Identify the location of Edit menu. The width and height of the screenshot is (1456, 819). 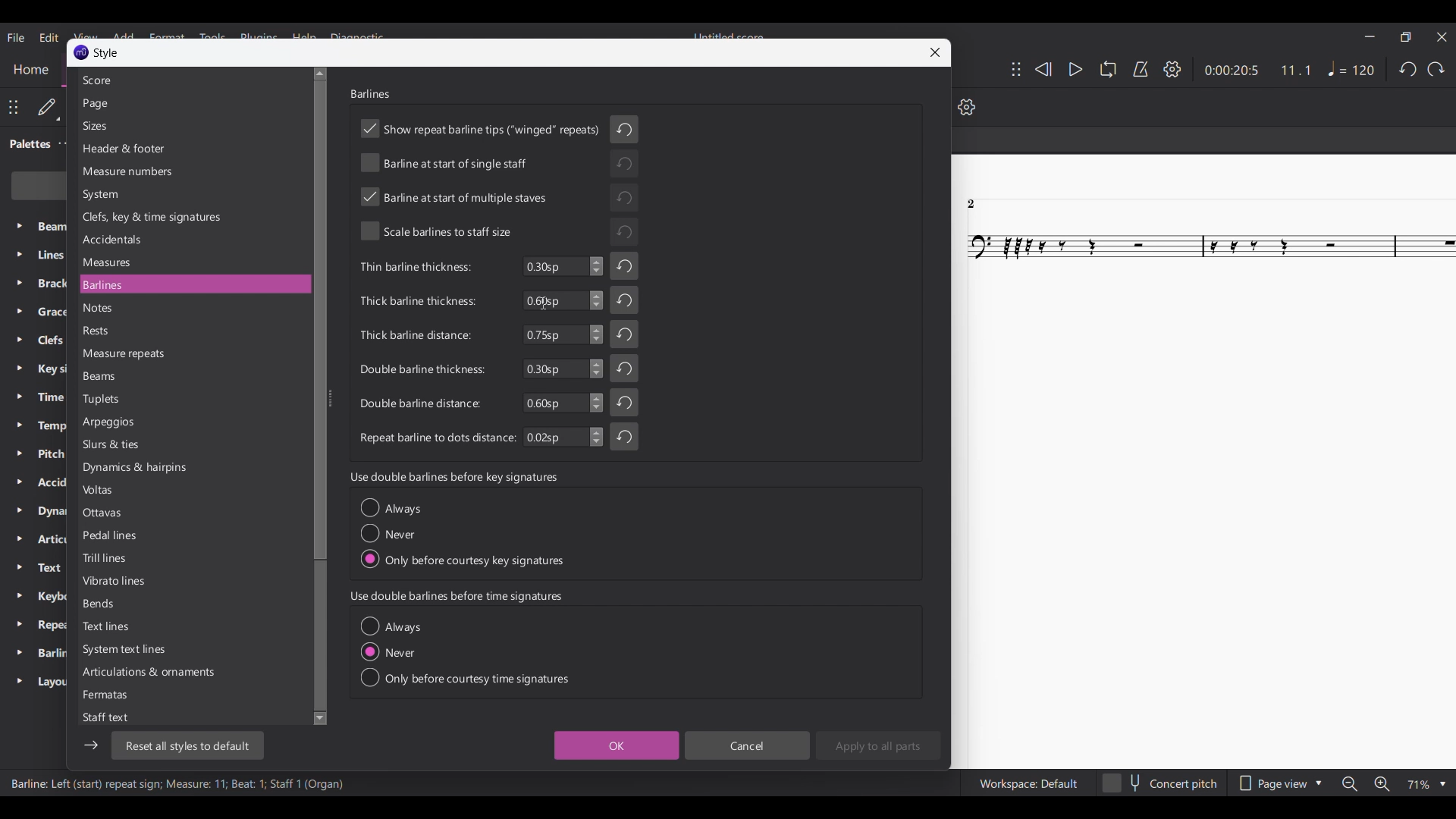
(50, 38).